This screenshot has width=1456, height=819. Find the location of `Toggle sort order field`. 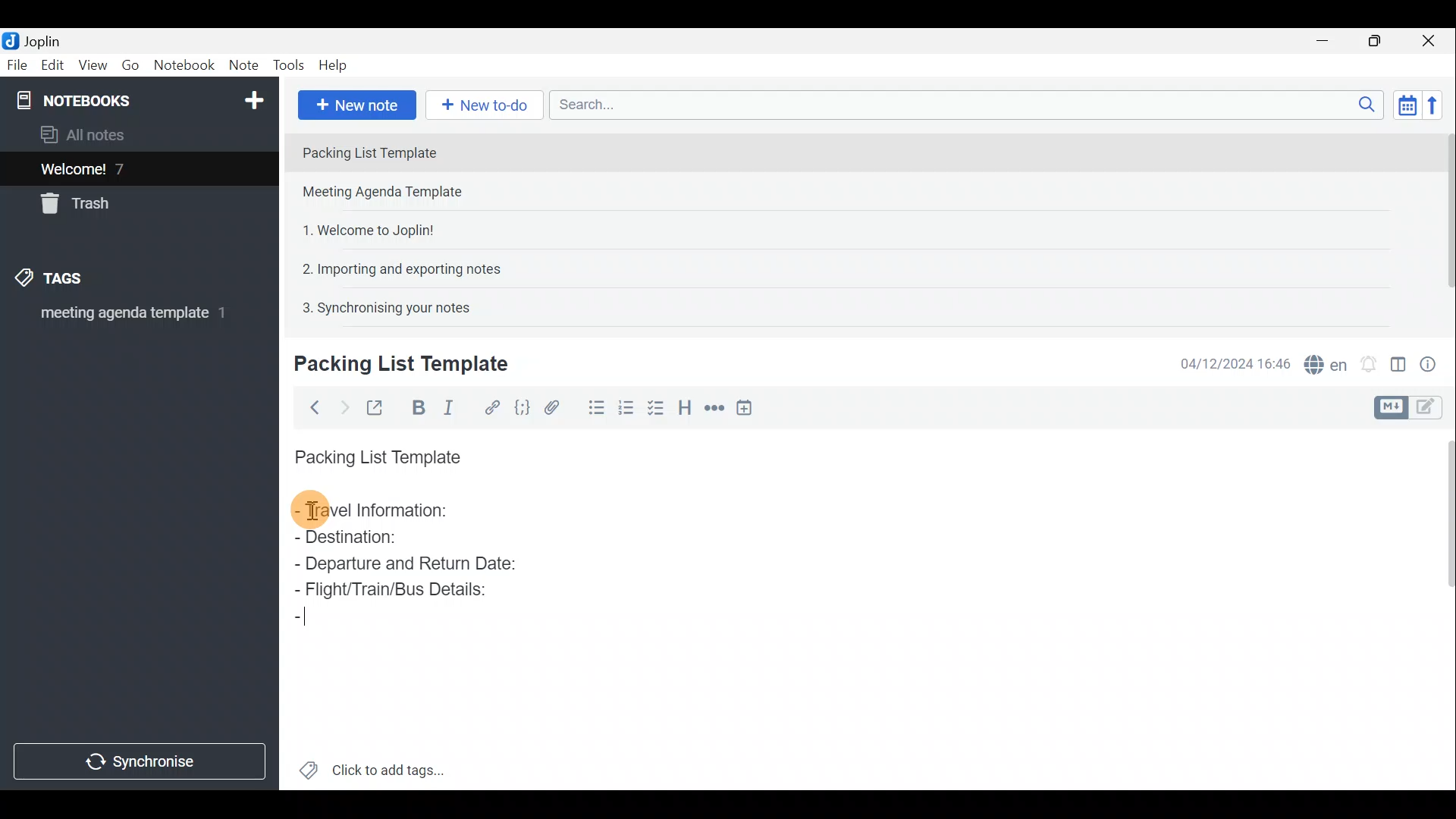

Toggle sort order field is located at coordinates (1402, 105).